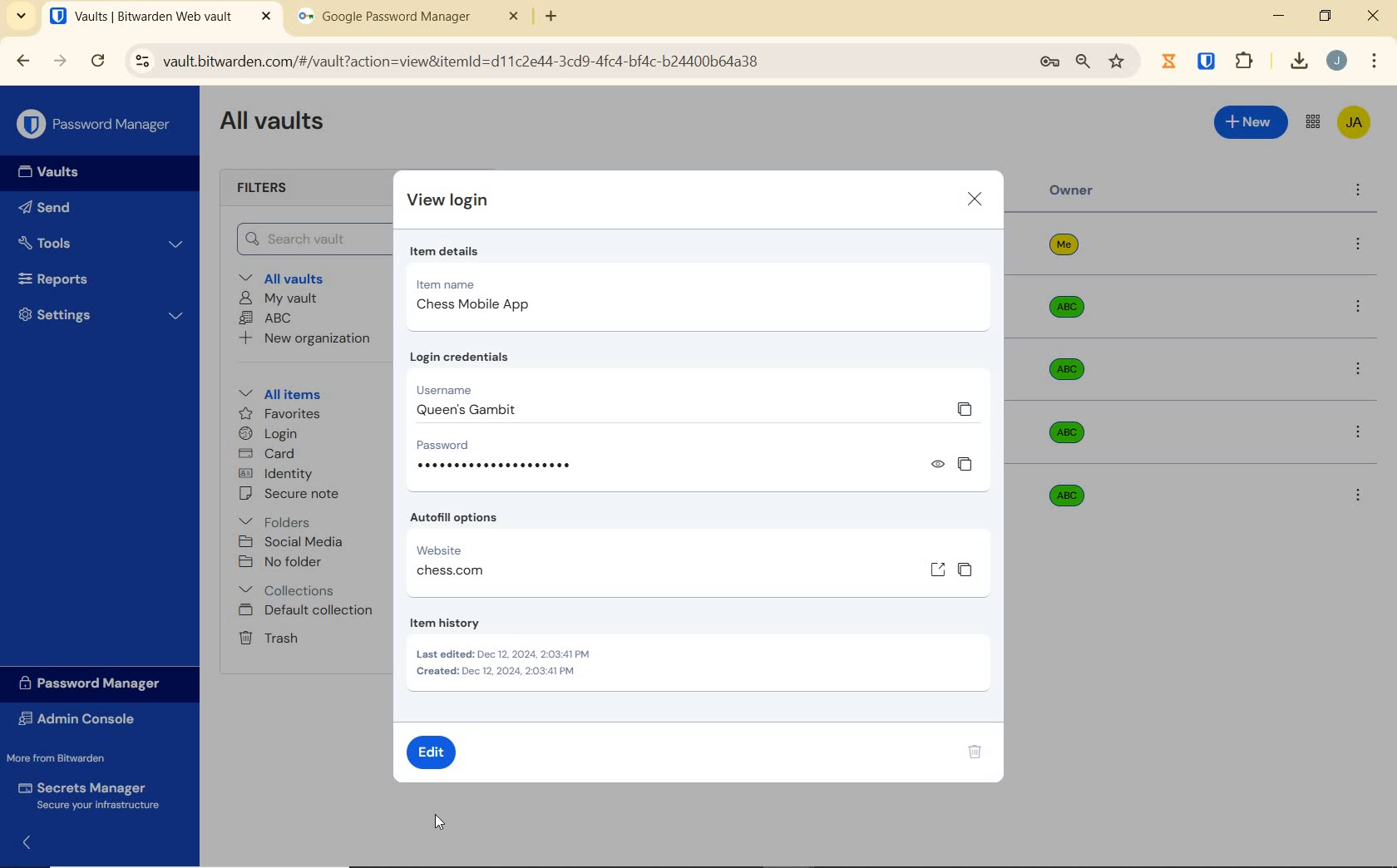 The width and height of the screenshot is (1397, 868). Describe the element at coordinates (53, 172) in the screenshot. I see `Vaults` at that location.